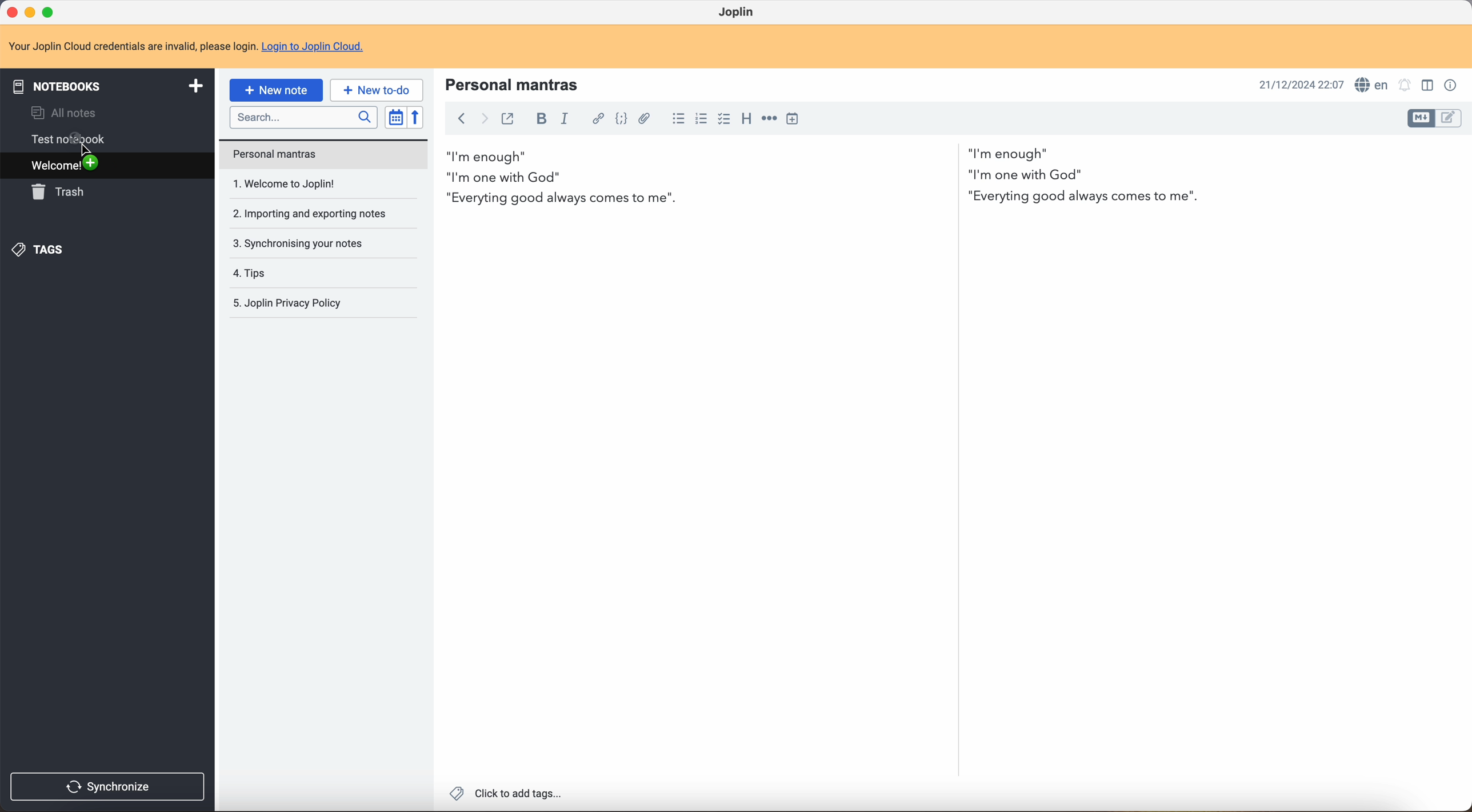 The height and width of the screenshot is (812, 1472). I want to click on personal mantras note, so click(324, 154).